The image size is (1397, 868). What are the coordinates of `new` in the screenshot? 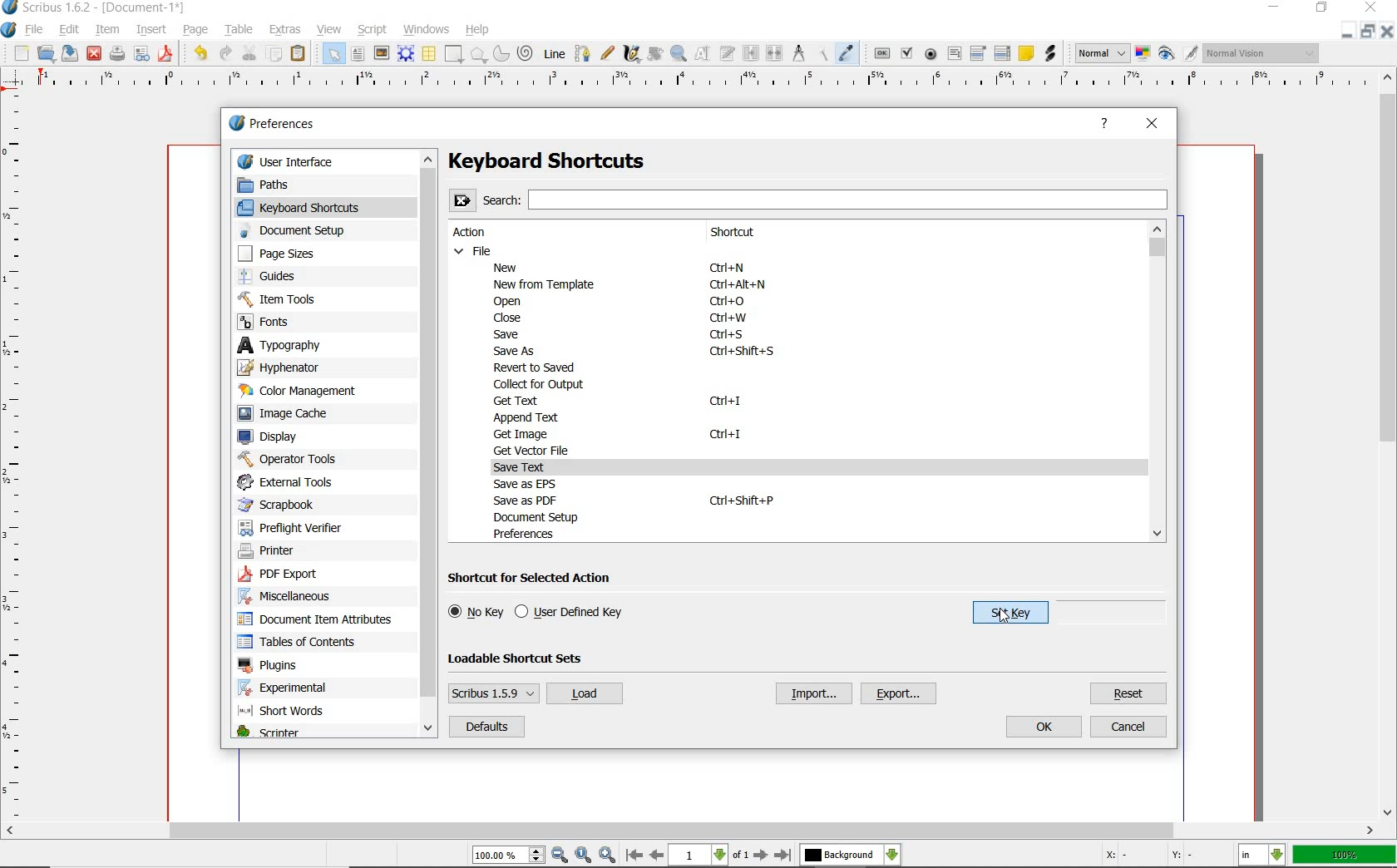 It's located at (511, 267).